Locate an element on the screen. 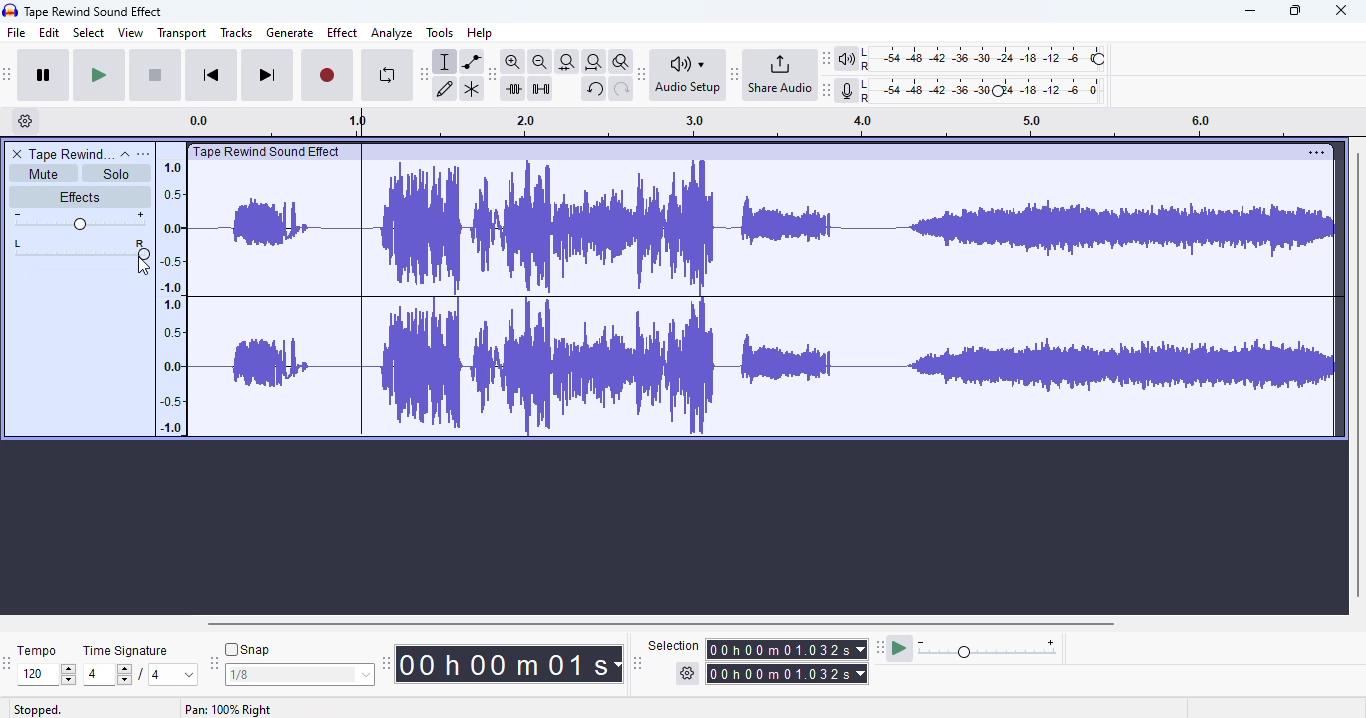 The height and width of the screenshot is (718, 1366). time signature is located at coordinates (126, 651).